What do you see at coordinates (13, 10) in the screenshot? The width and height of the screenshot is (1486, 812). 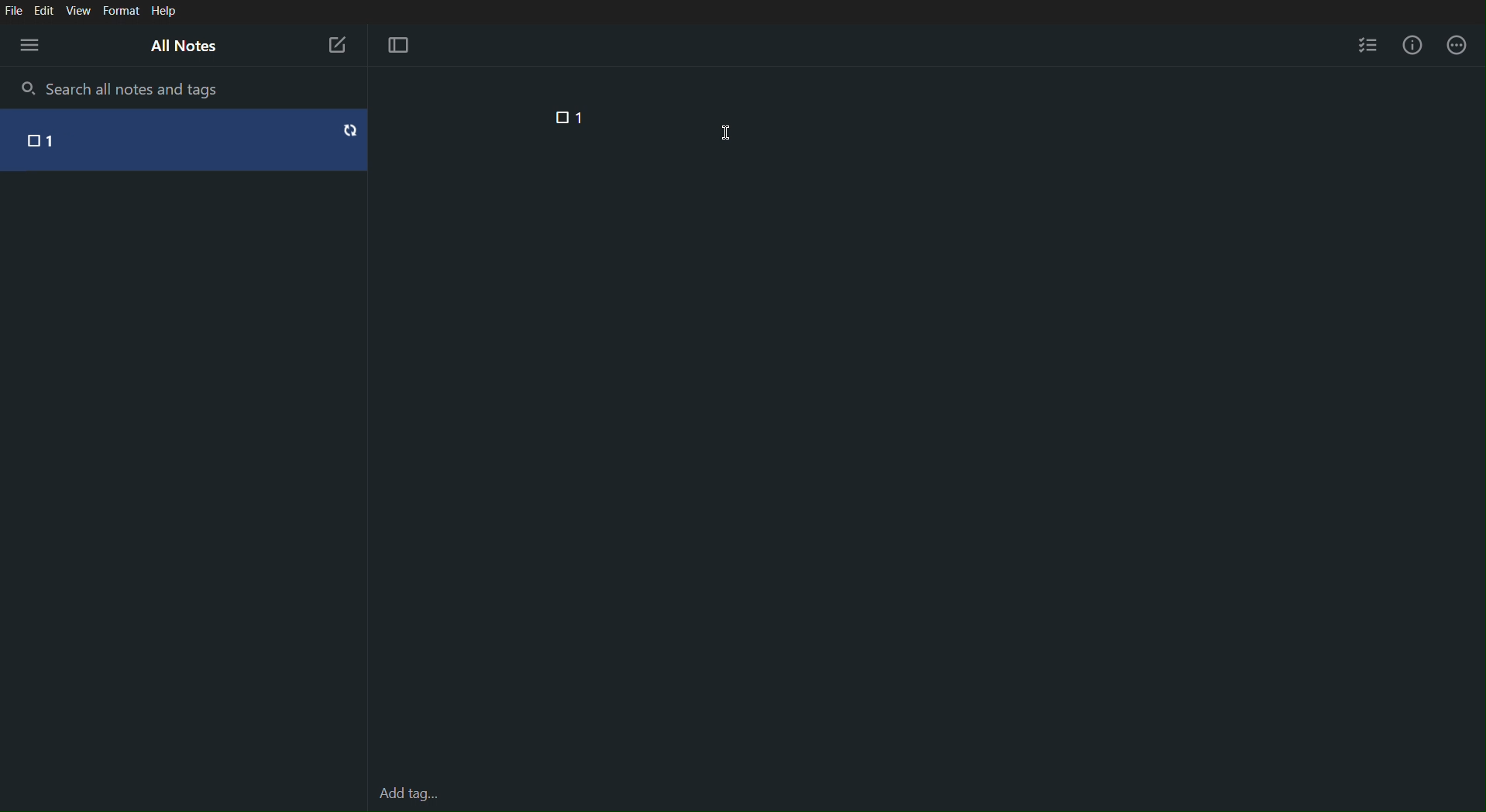 I see `File` at bounding box center [13, 10].